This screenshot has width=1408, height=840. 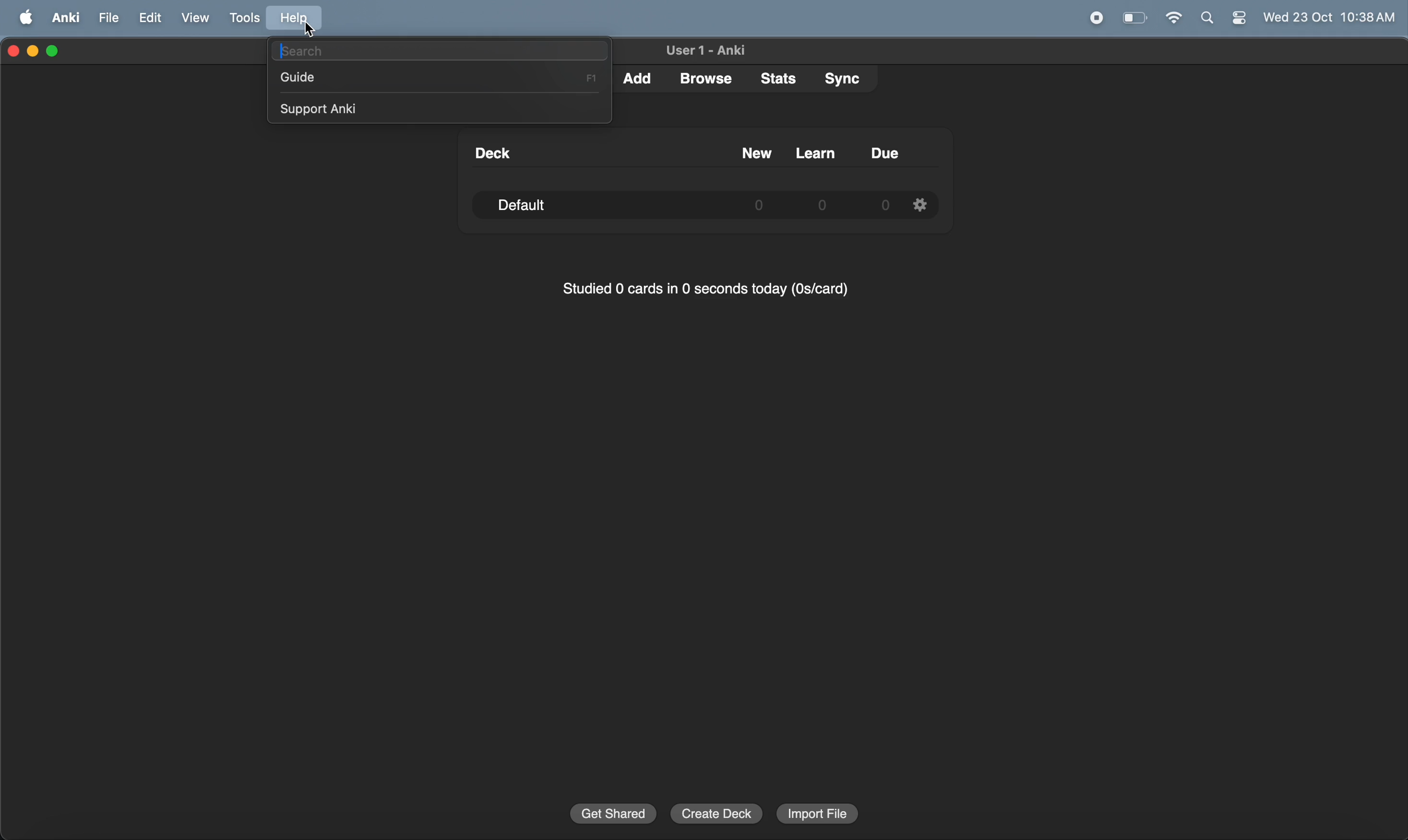 What do you see at coordinates (22, 18) in the screenshot?
I see `apple menu` at bounding box center [22, 18].